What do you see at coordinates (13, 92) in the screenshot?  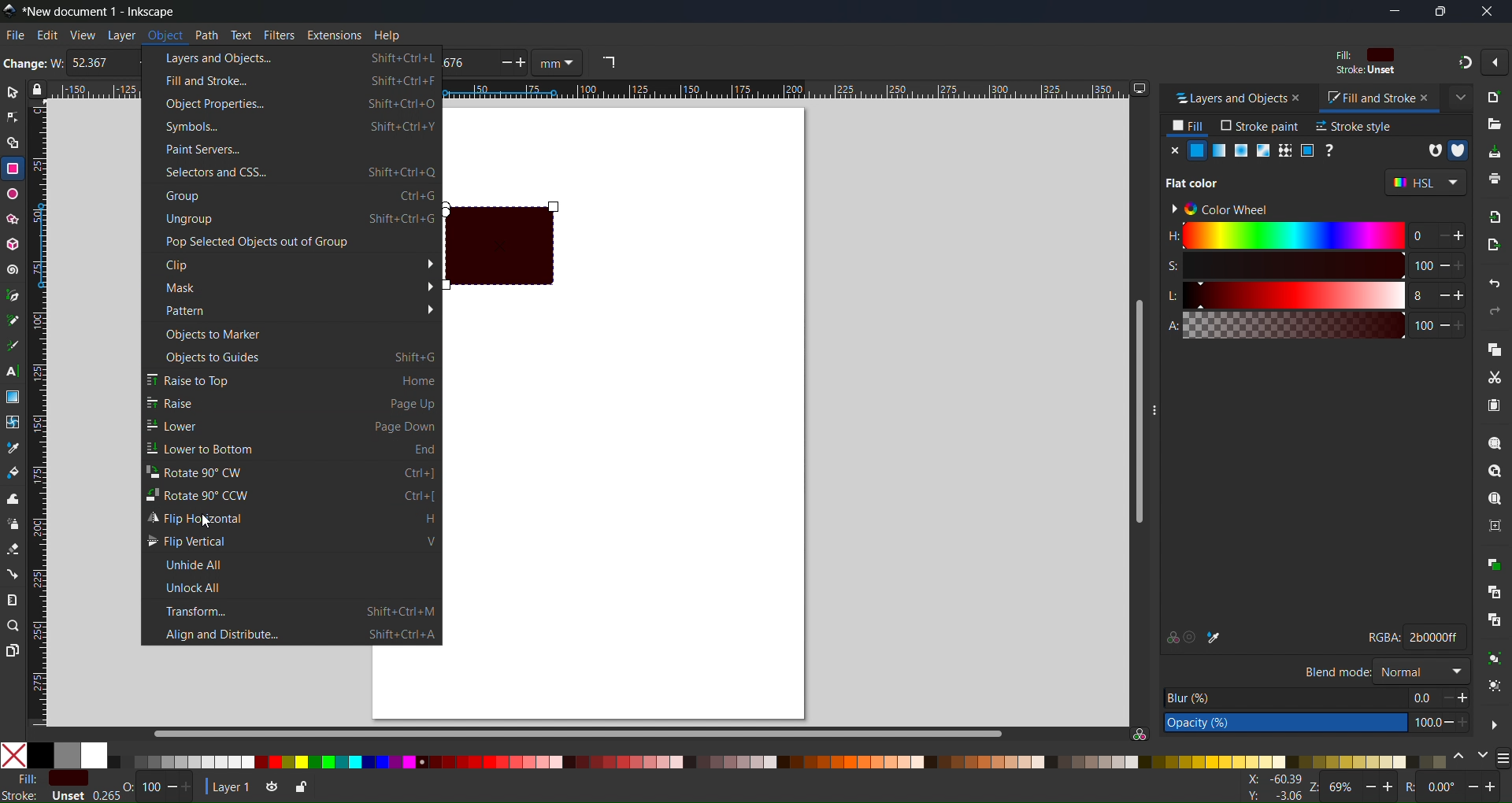 I see `Selector tool` at bounding box center [13, 92].